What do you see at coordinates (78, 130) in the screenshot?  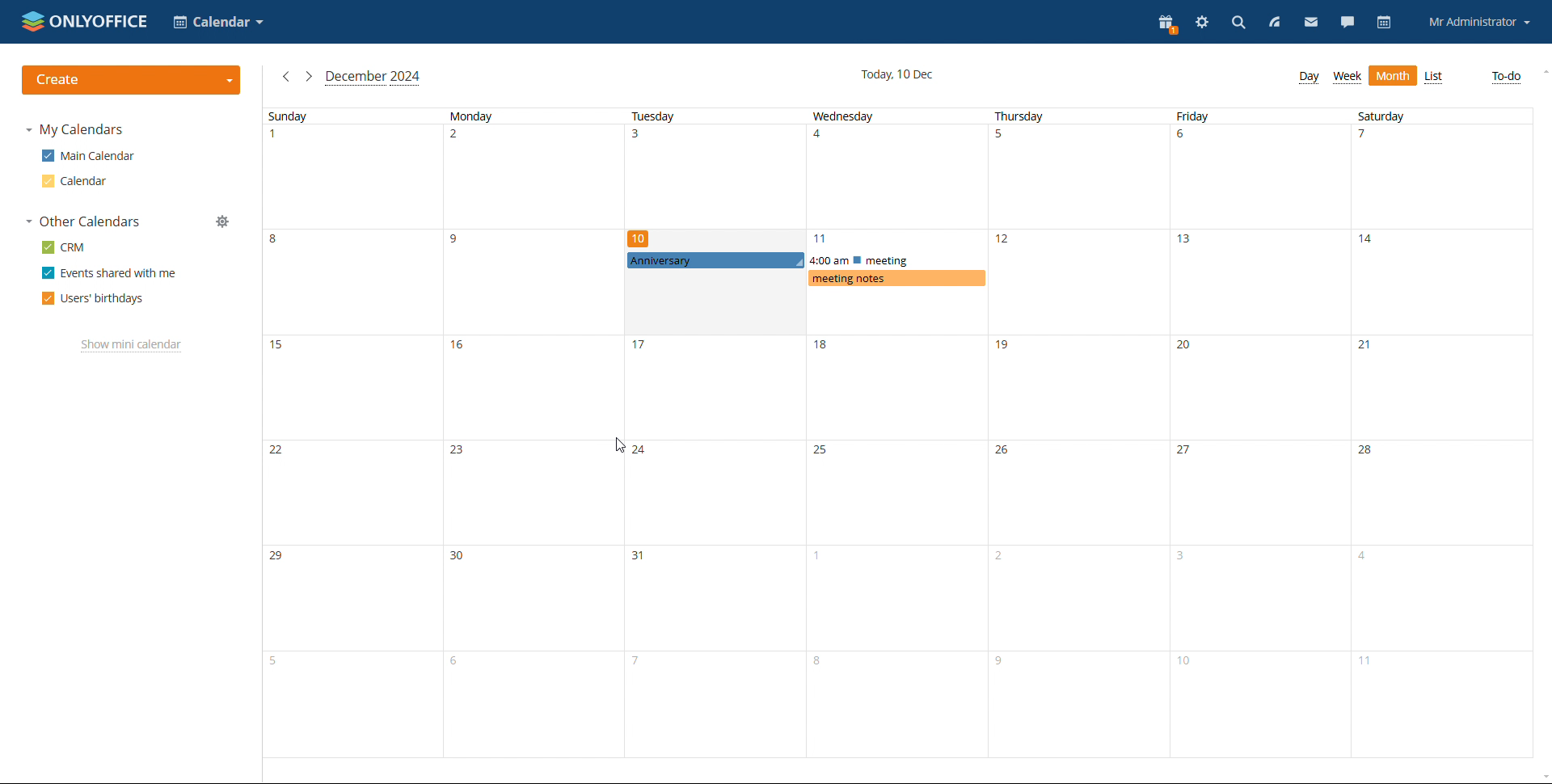 I see `my calendars` at bounding box center [78, 130].